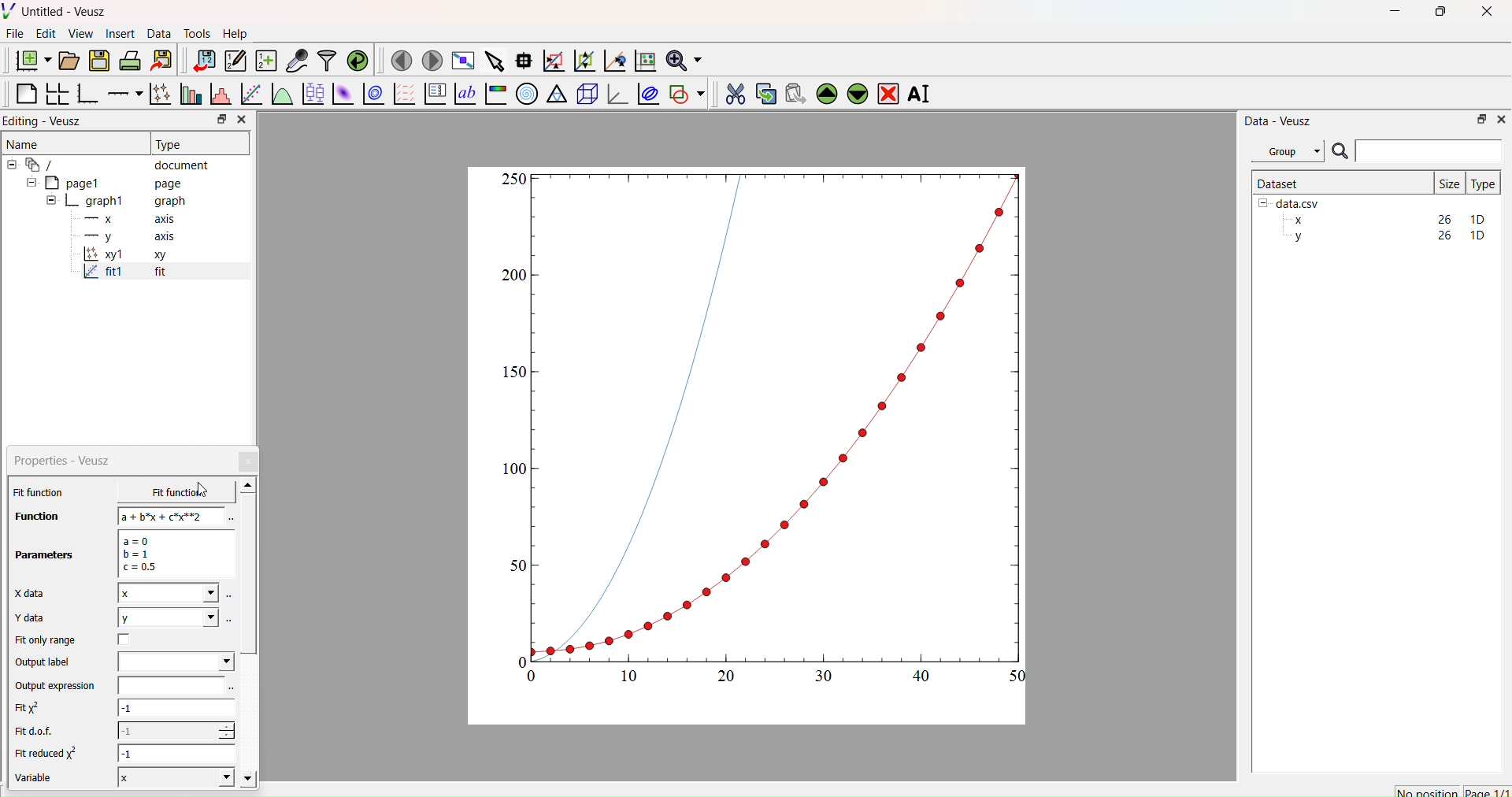  What do you see at coordinates (167, 617) in the screenshot?
I see `y` at bounding box center [167, 617].